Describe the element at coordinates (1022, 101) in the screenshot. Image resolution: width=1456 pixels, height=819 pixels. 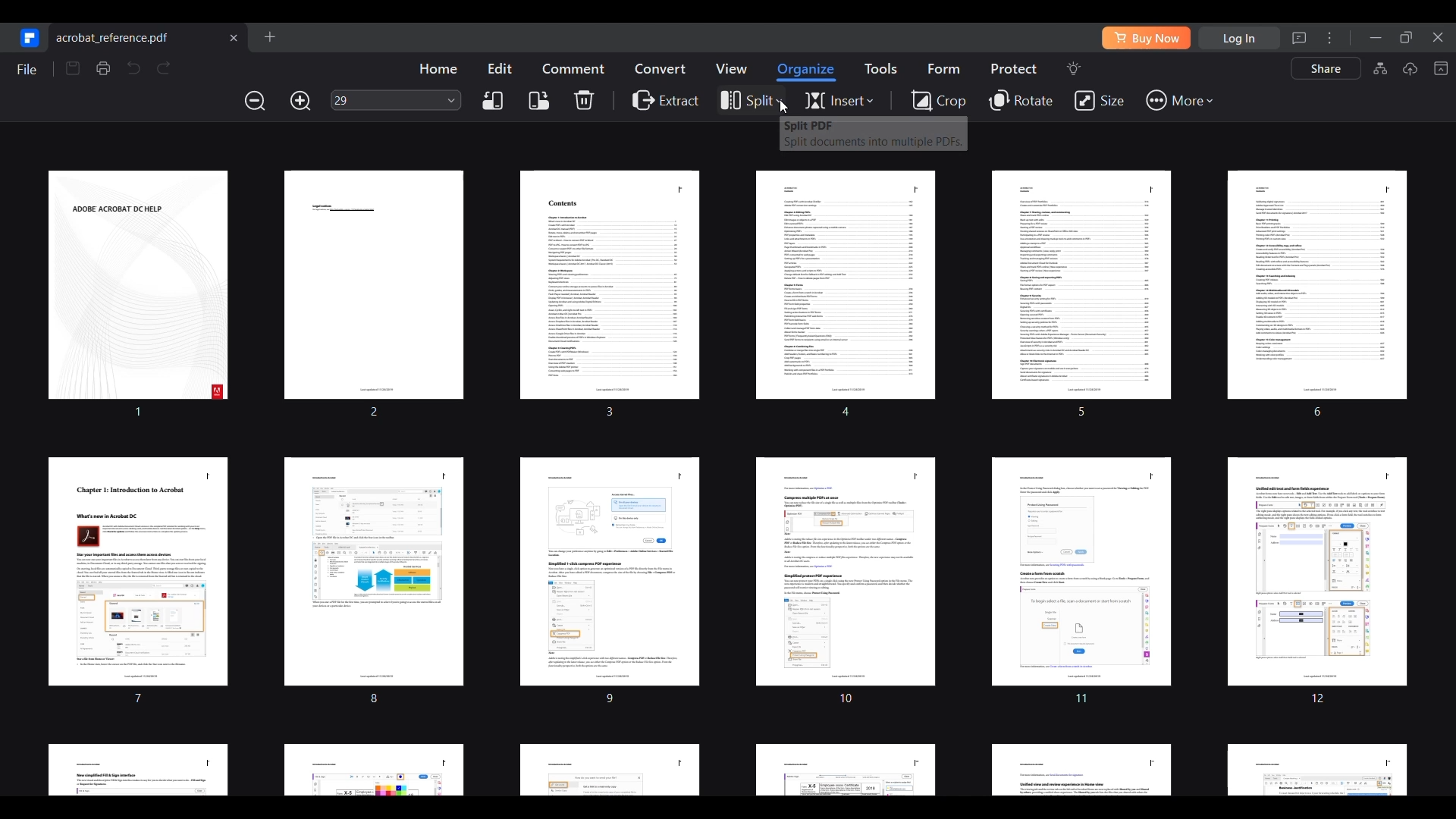
I see `Rotate page` at that location.